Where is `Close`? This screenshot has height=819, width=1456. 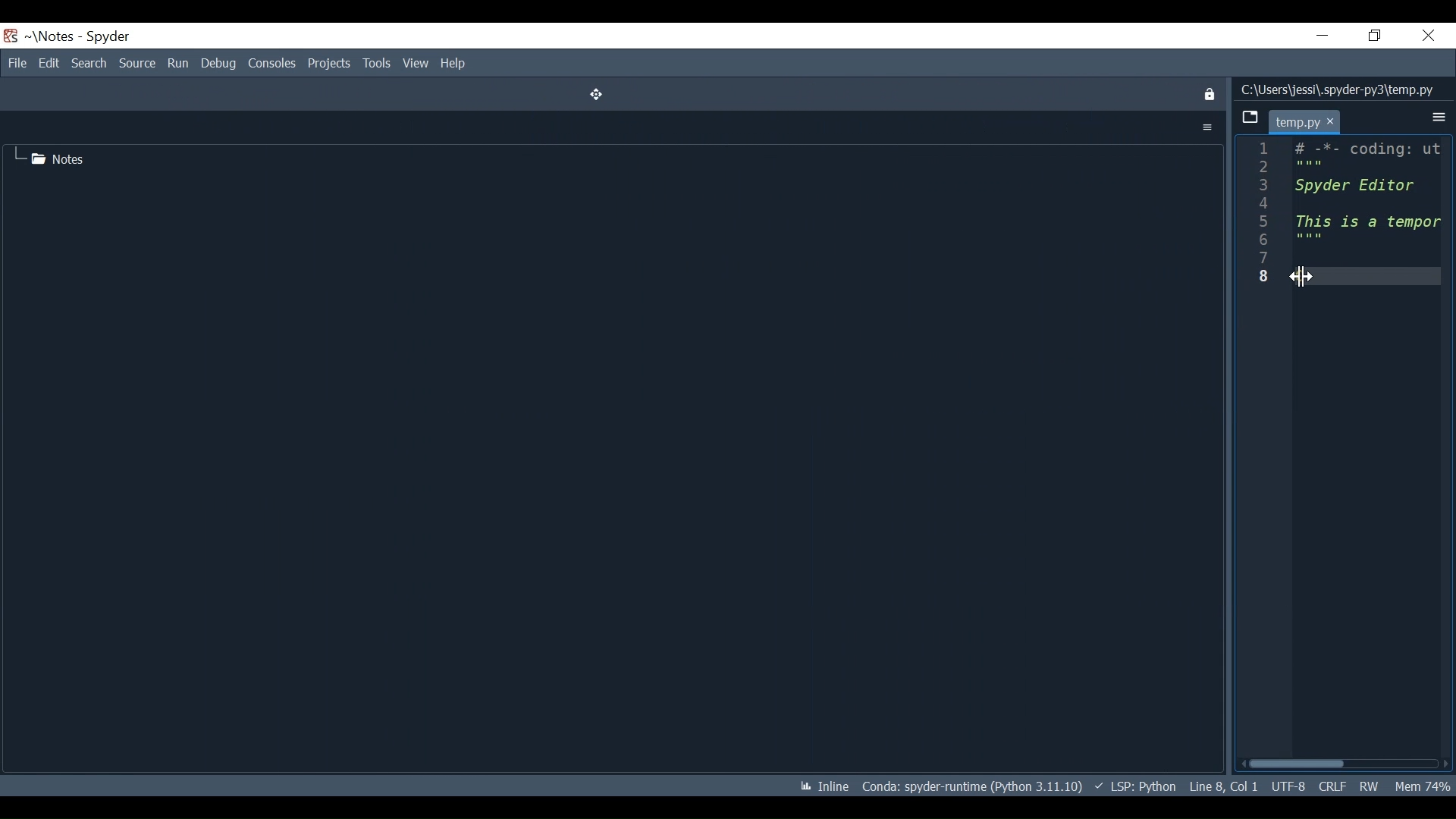 Close is located at coordinates (1426, 36).